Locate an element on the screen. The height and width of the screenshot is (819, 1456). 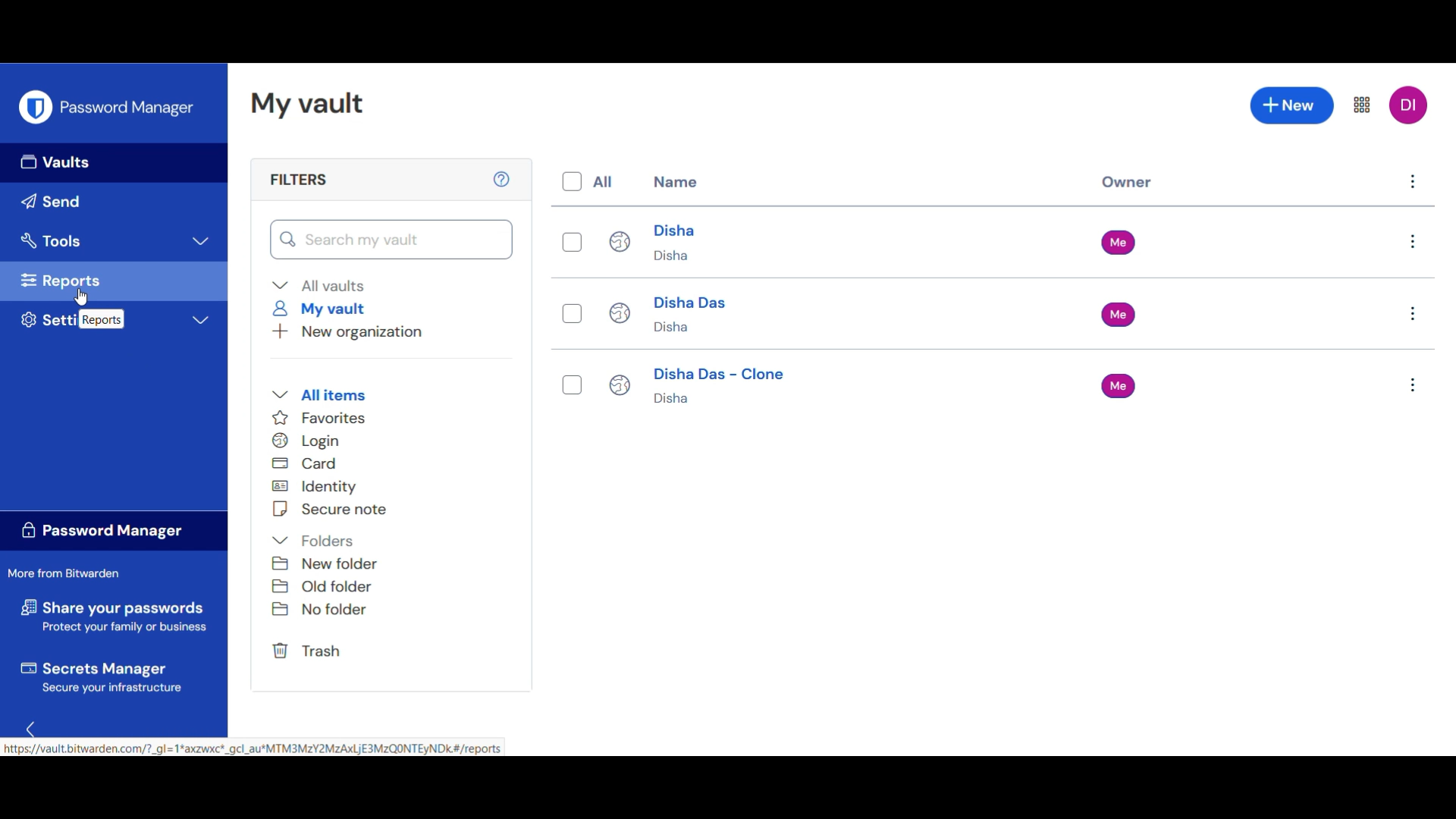
secret manager is located at coordinates (111, 673).